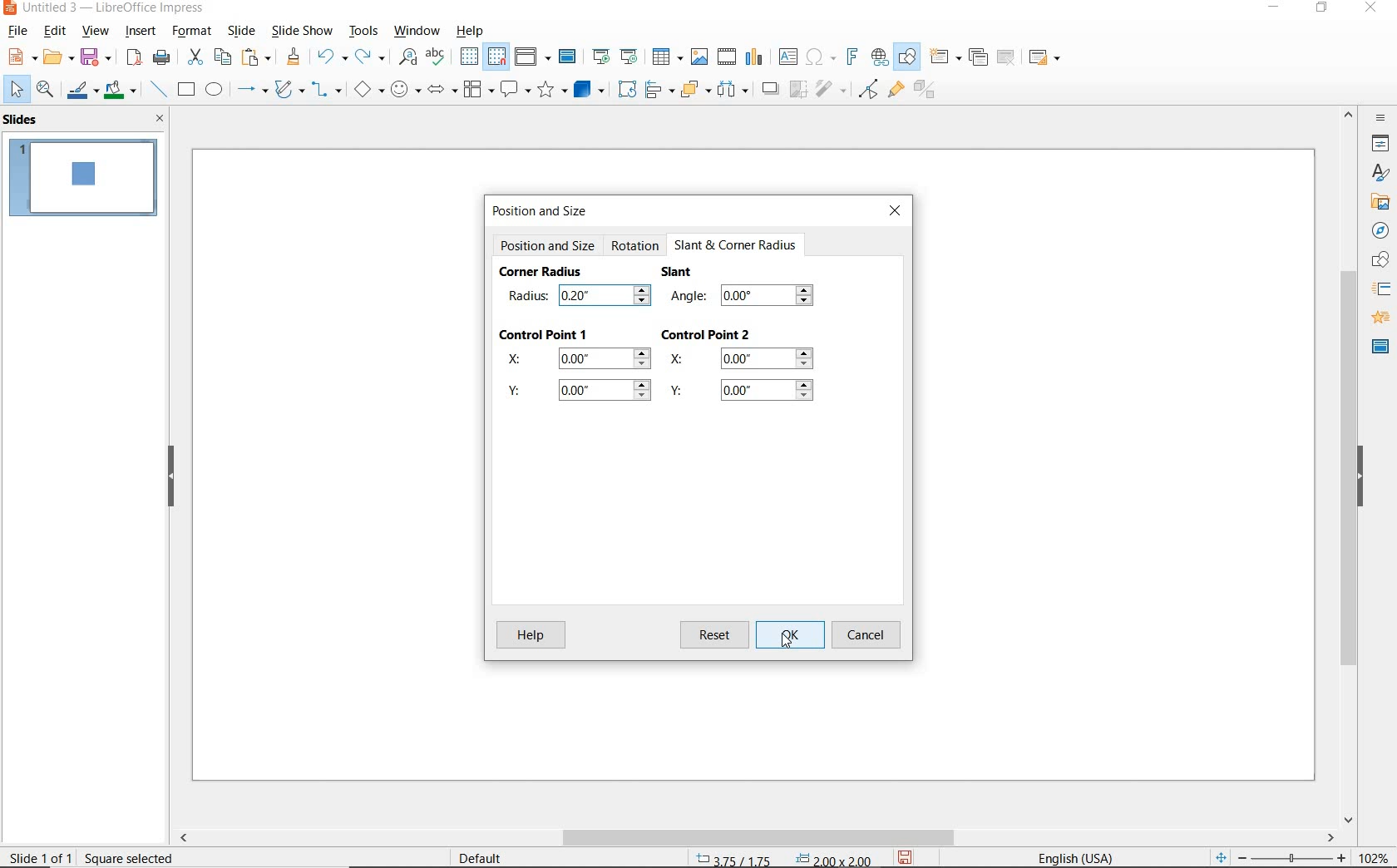 Image resolution: width=1397 pixels, height=868 pixels. Describe the element at coordinates (542, 273) in the screenshot. I see `CORNER RADIUS` at that location.